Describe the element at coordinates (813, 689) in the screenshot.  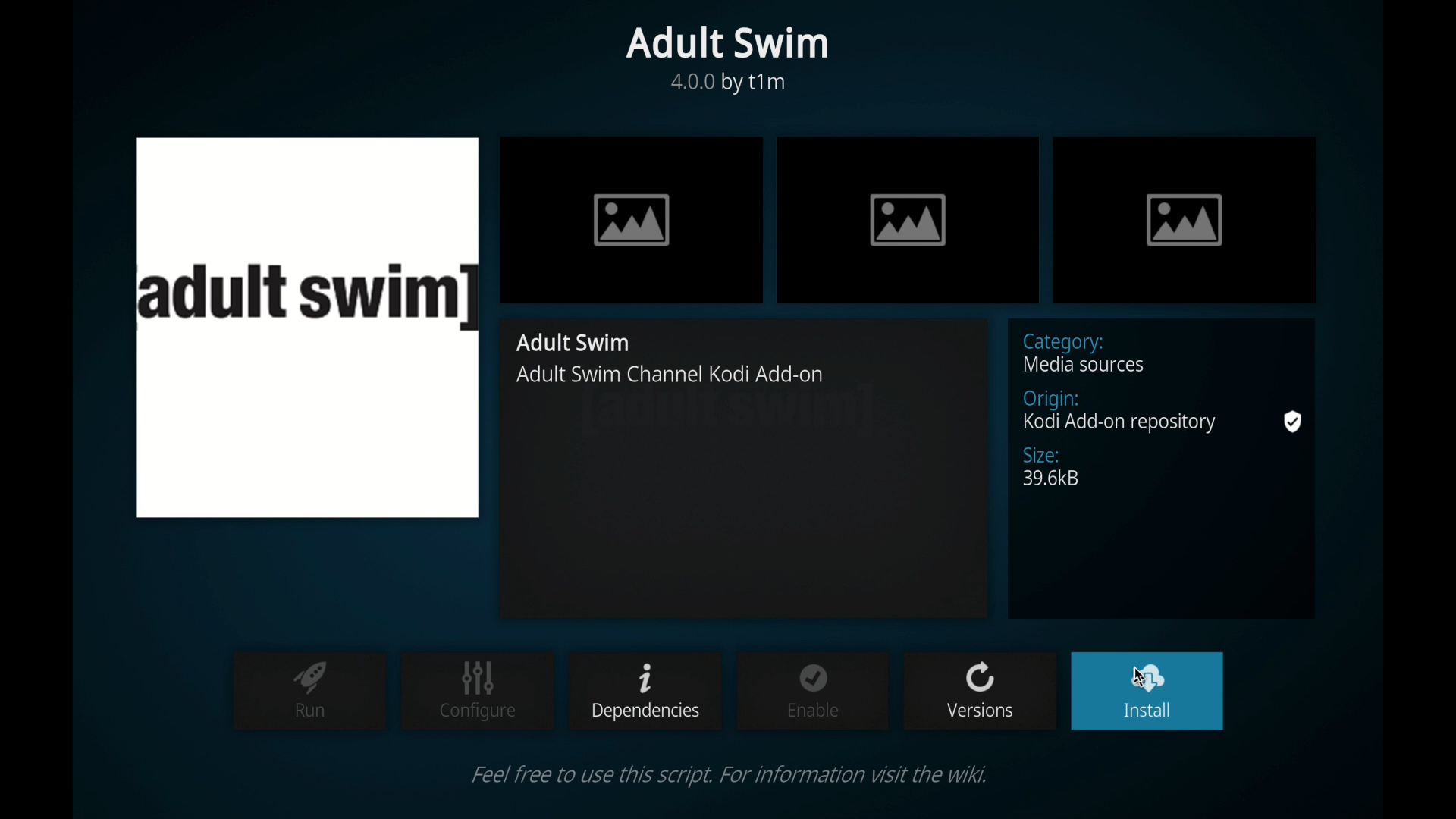
I see `enable` at that location.